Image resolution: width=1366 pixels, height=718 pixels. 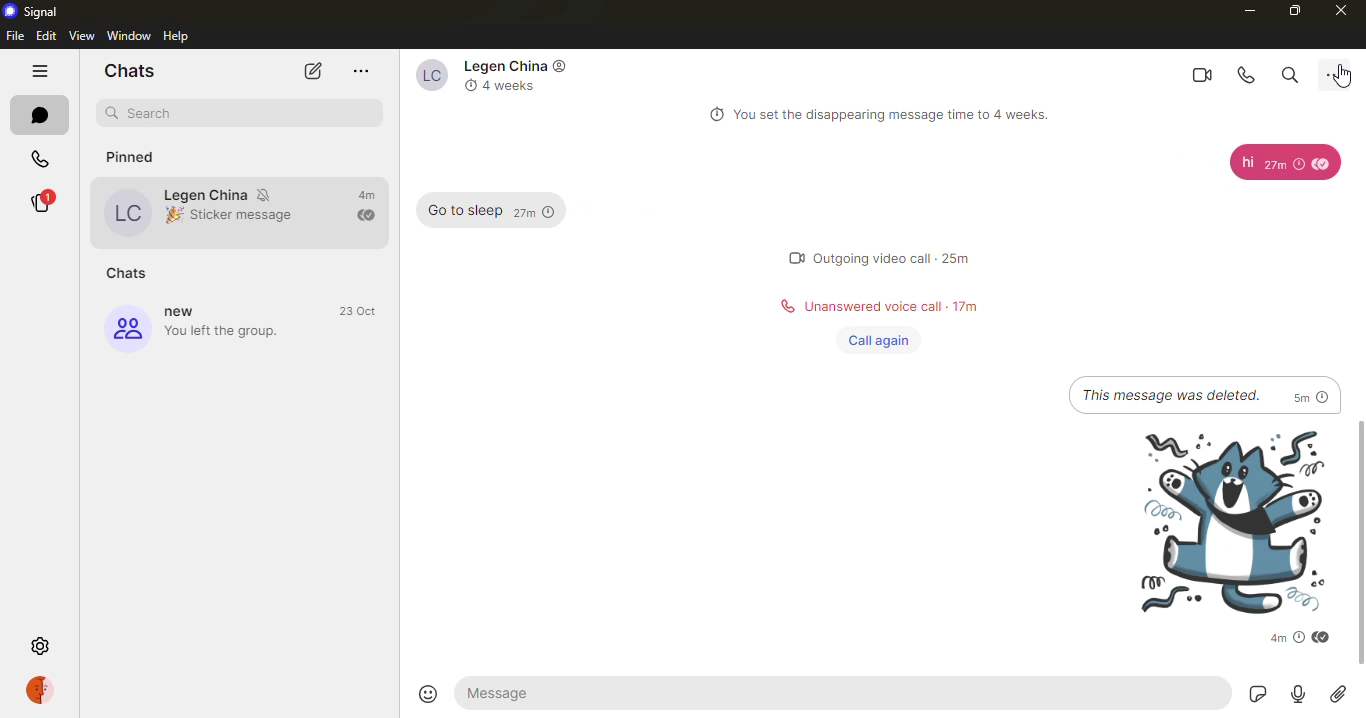 What do you see at coordinates (16, 36) in the screenshot?
I see `file` at bounding box center [16, 36].